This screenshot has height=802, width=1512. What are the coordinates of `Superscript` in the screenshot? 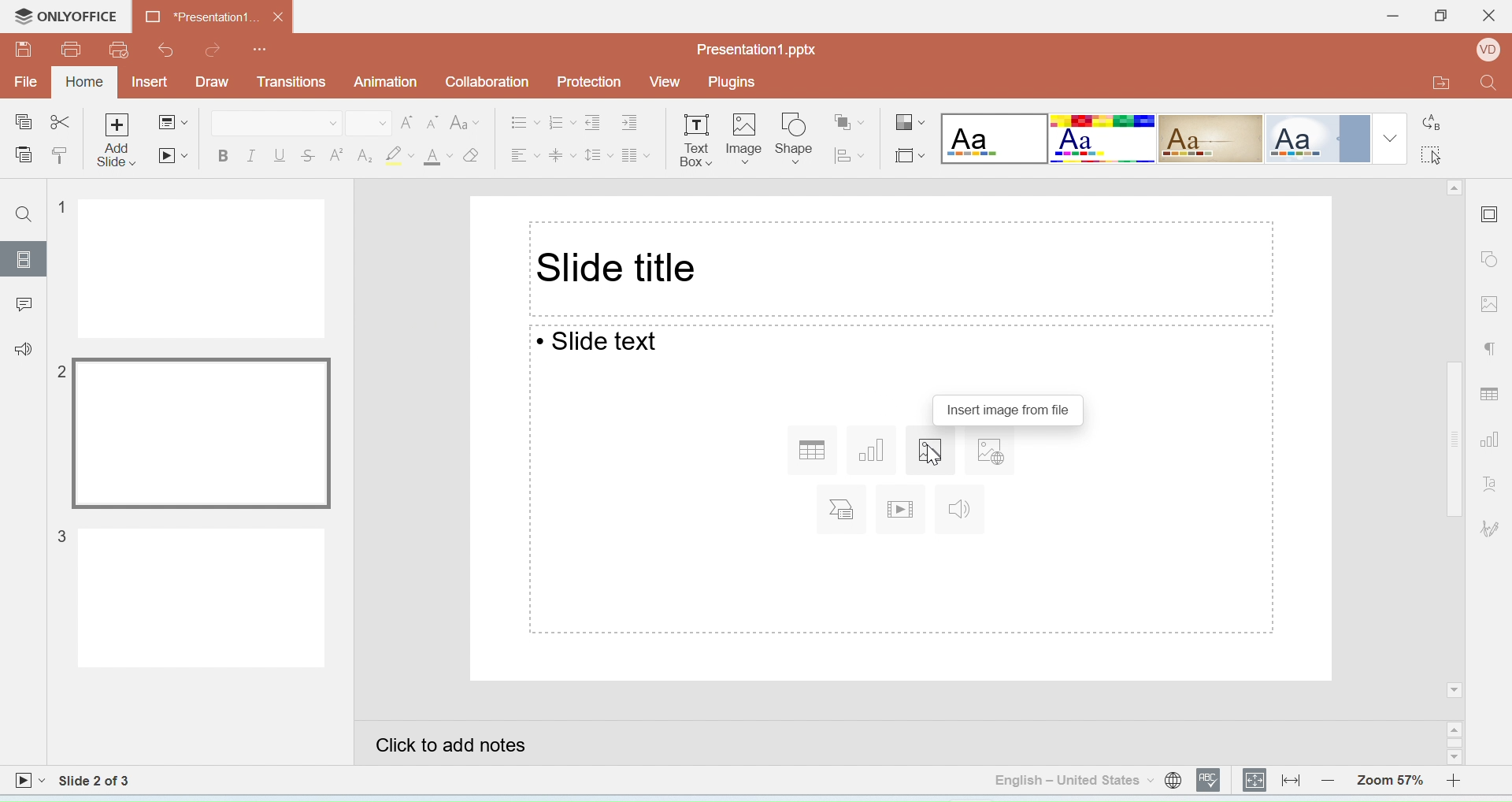 It's located at (337, 154).